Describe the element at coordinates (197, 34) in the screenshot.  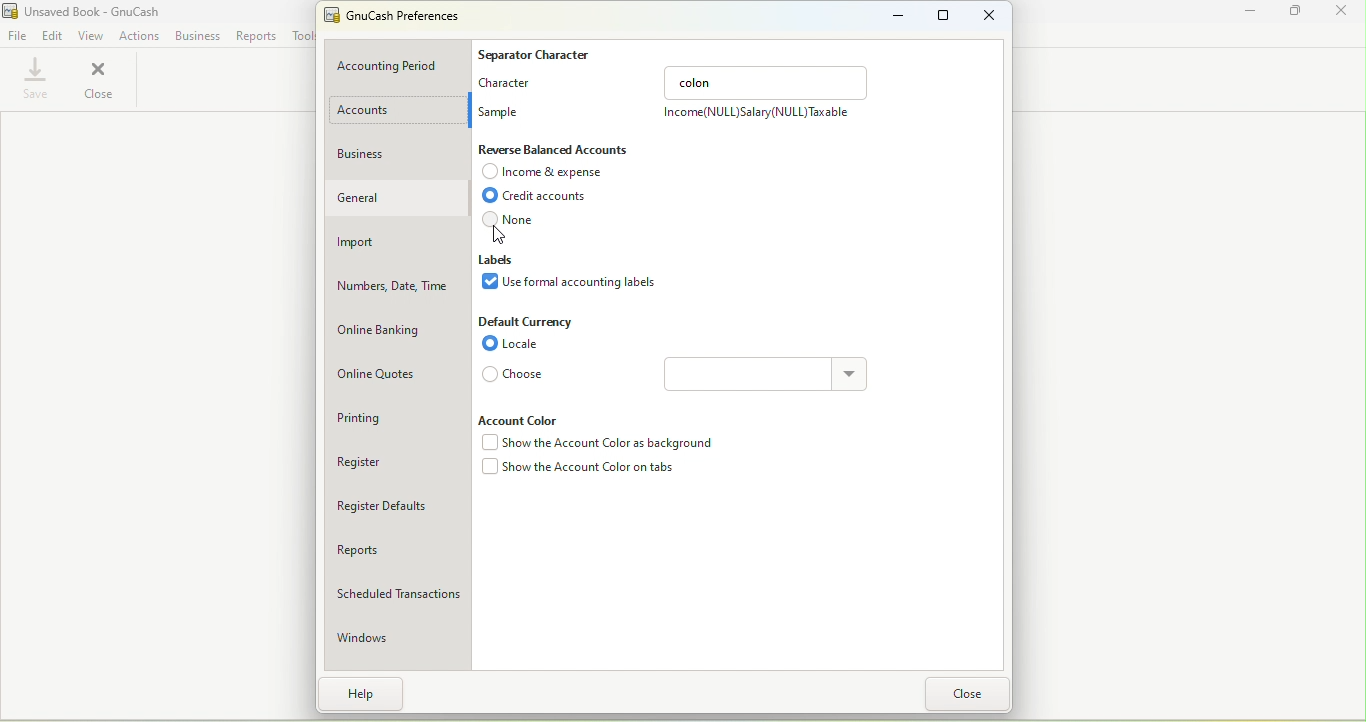
I see `Business` at that location.